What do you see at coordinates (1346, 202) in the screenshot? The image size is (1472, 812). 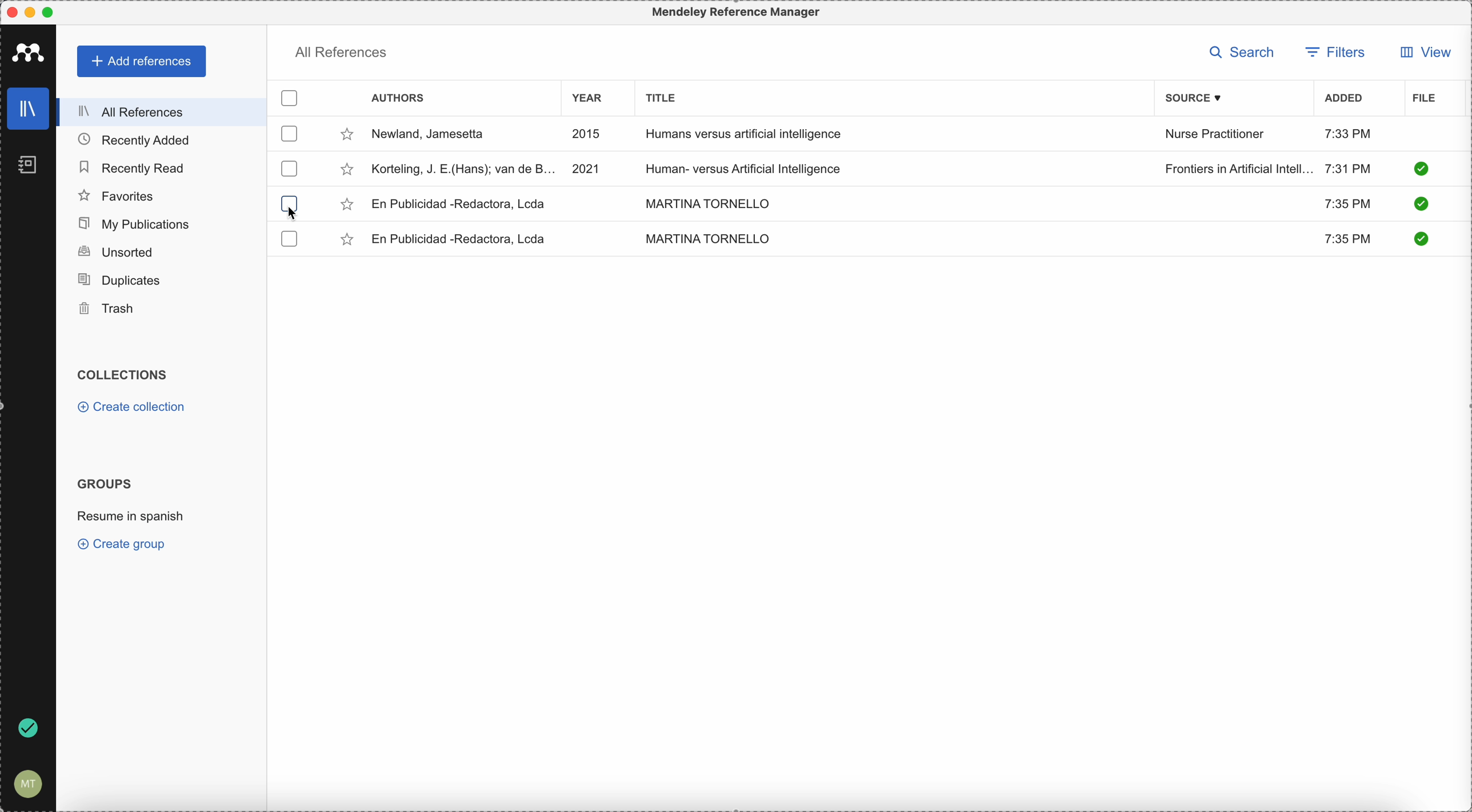 I see `7:35 PM` at bounding box center [1346, 202].